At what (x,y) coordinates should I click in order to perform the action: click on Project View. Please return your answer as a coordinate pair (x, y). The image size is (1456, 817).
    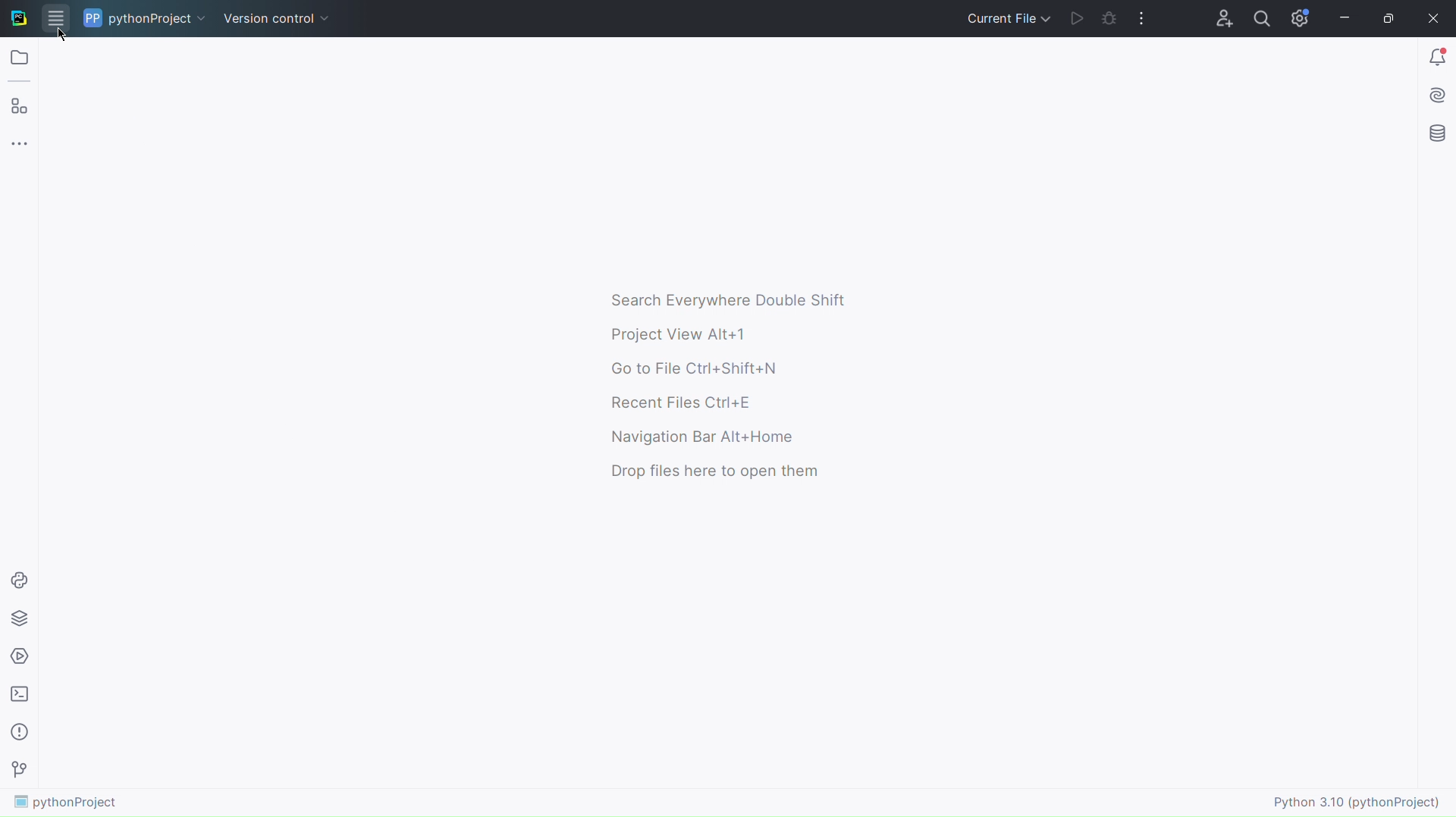
    Looking at the image, I should click on (679, 334).